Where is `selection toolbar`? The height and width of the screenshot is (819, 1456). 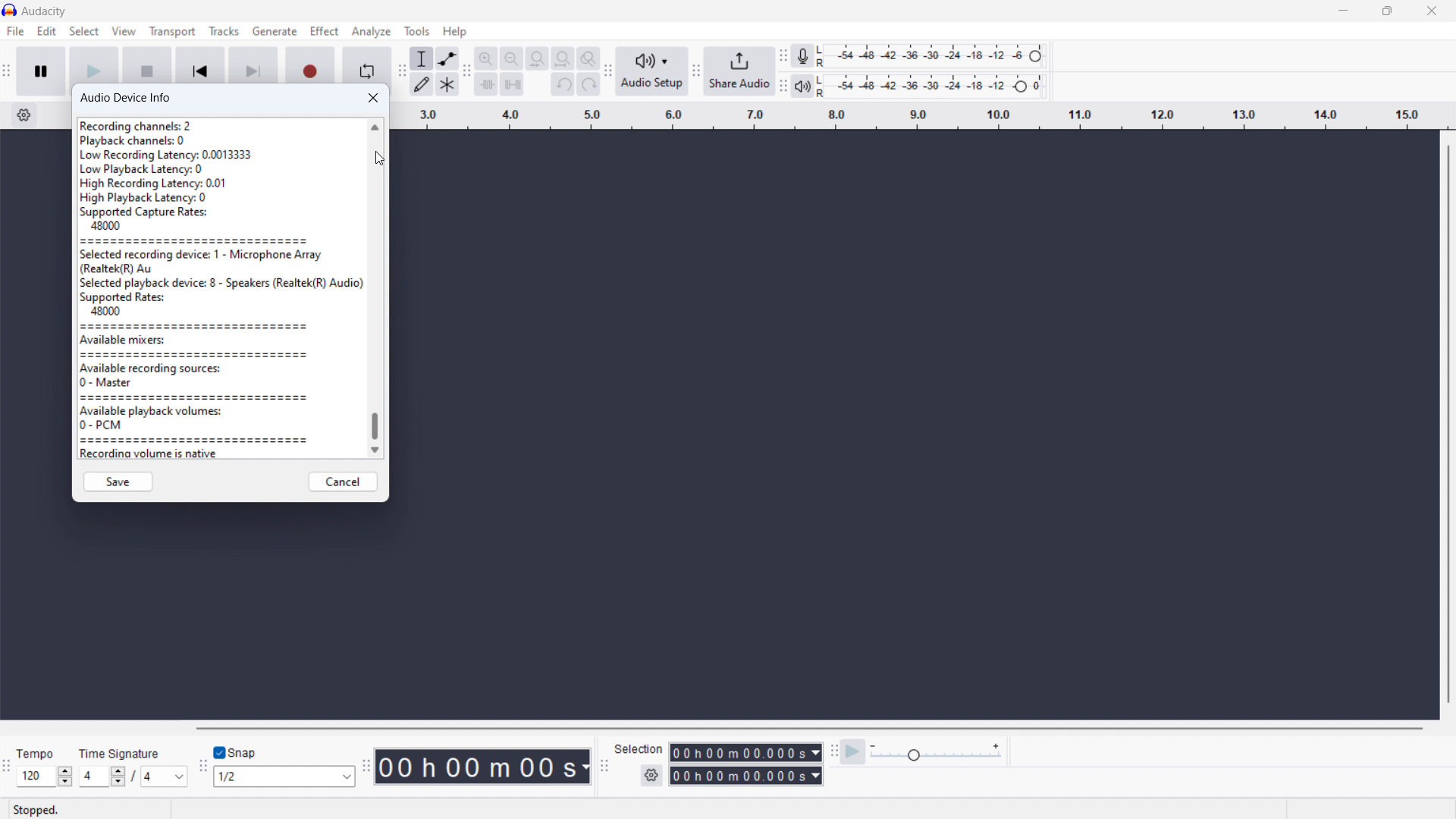
selection toolbar is located at coordinates (606, 766).